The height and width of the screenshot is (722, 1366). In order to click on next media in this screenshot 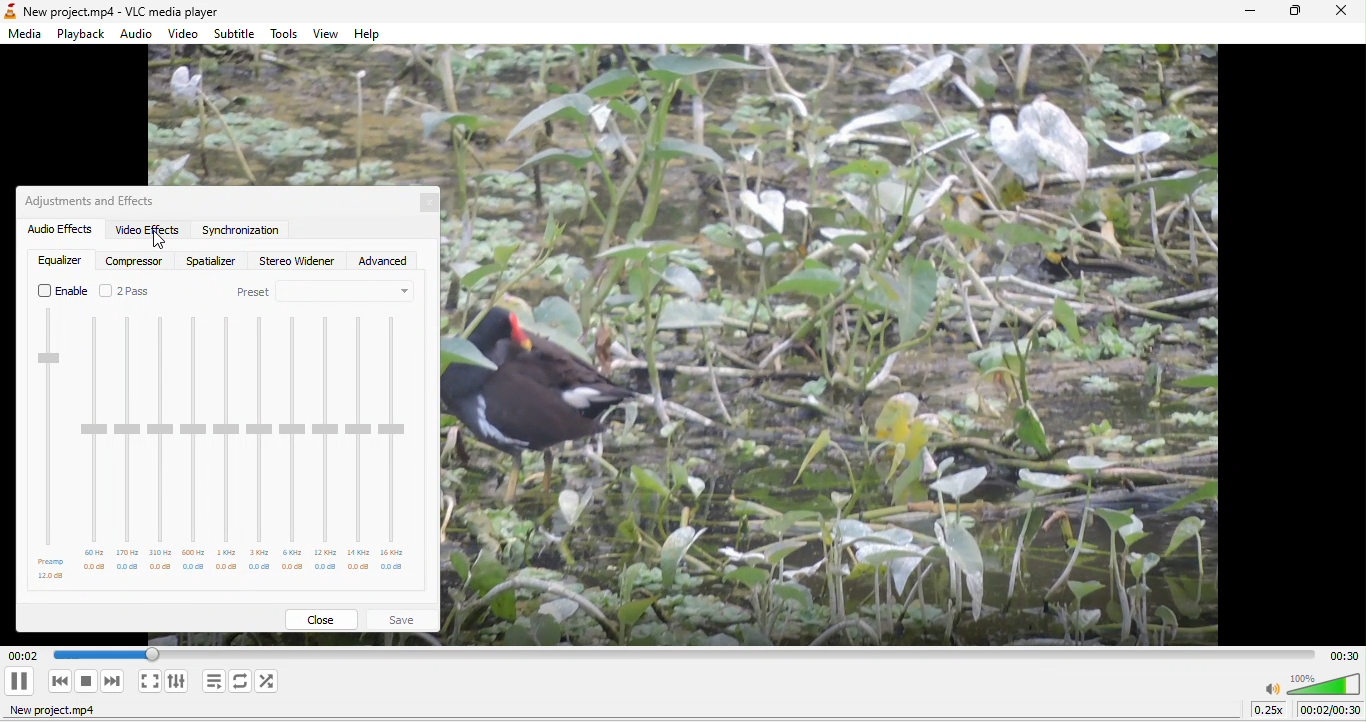, I will do `click(113, 681)`.